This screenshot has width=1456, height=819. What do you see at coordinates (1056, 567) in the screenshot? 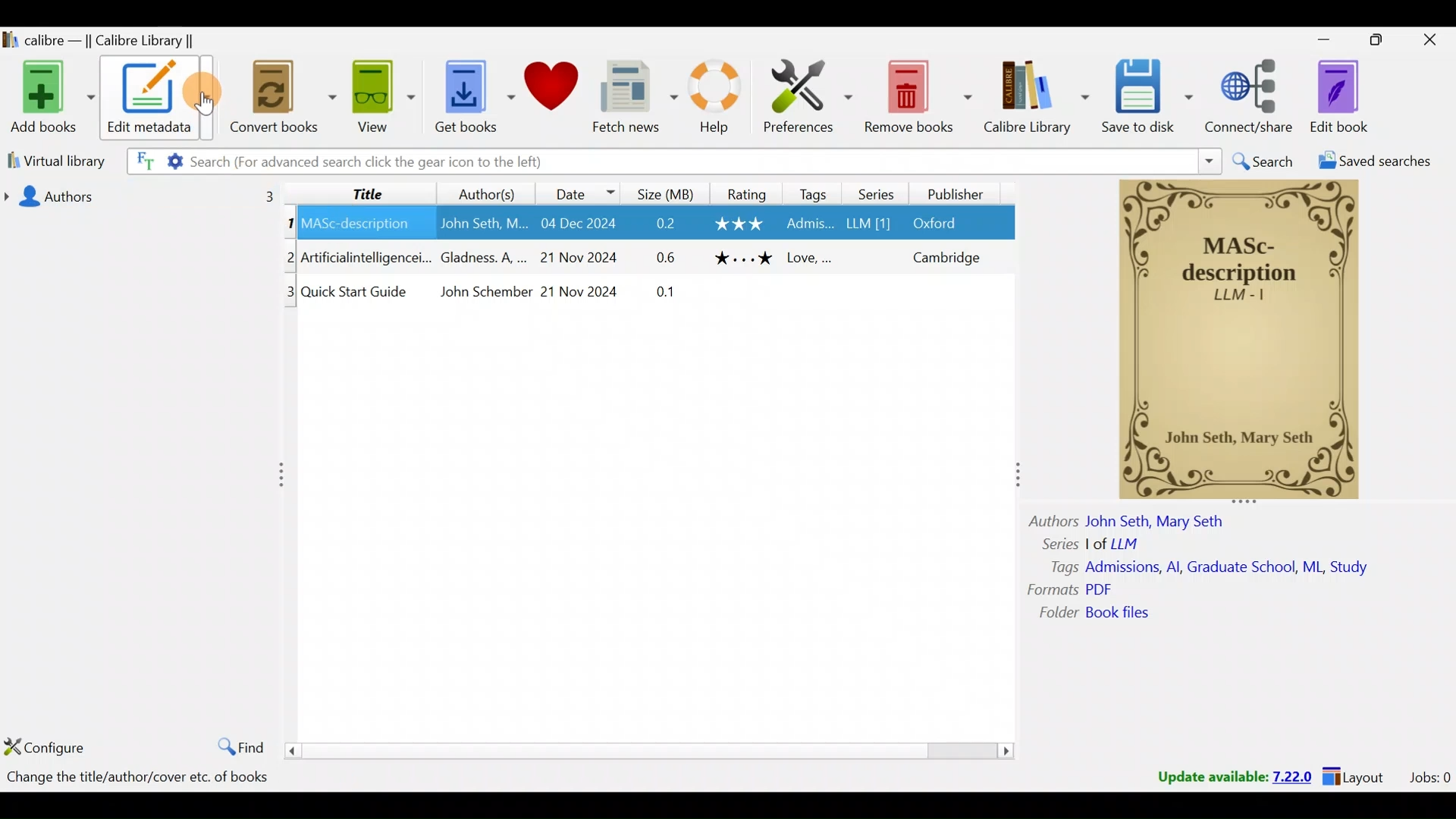
I see `` at bounding box center [1056, 567].